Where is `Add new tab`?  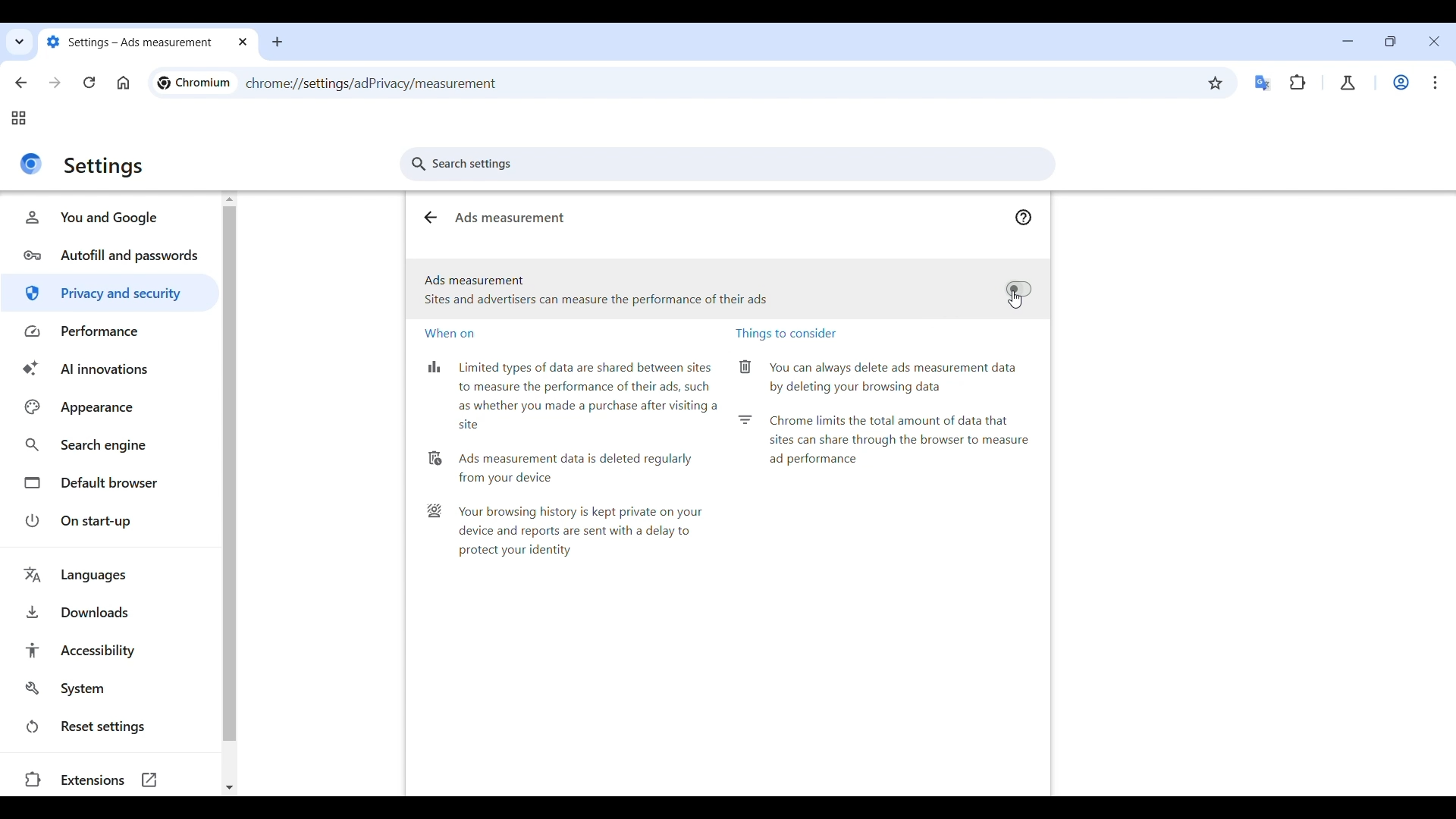 Add new tab is located at coordinates (277, 42).